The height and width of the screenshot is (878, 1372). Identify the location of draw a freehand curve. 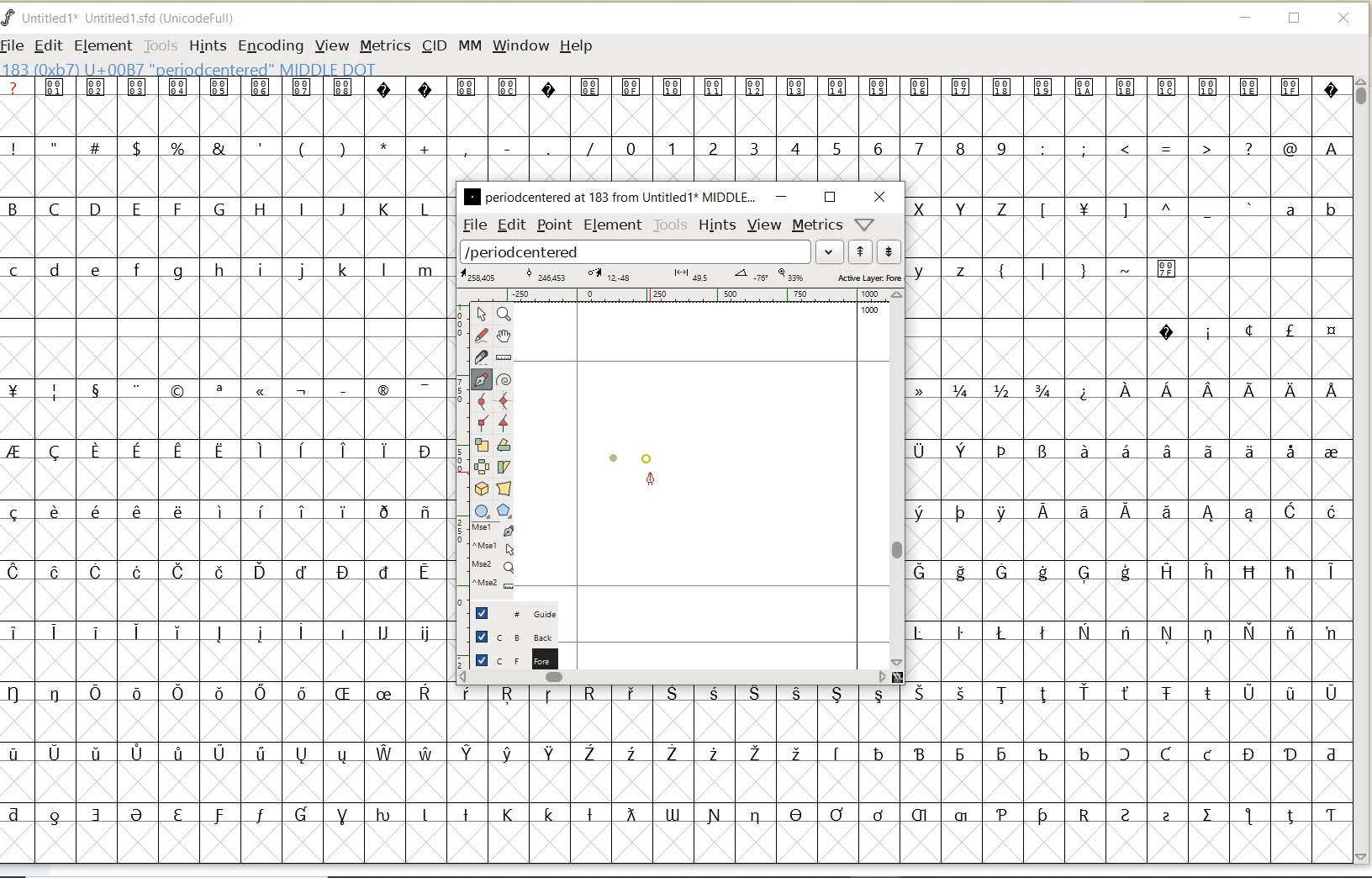
(481, 333).